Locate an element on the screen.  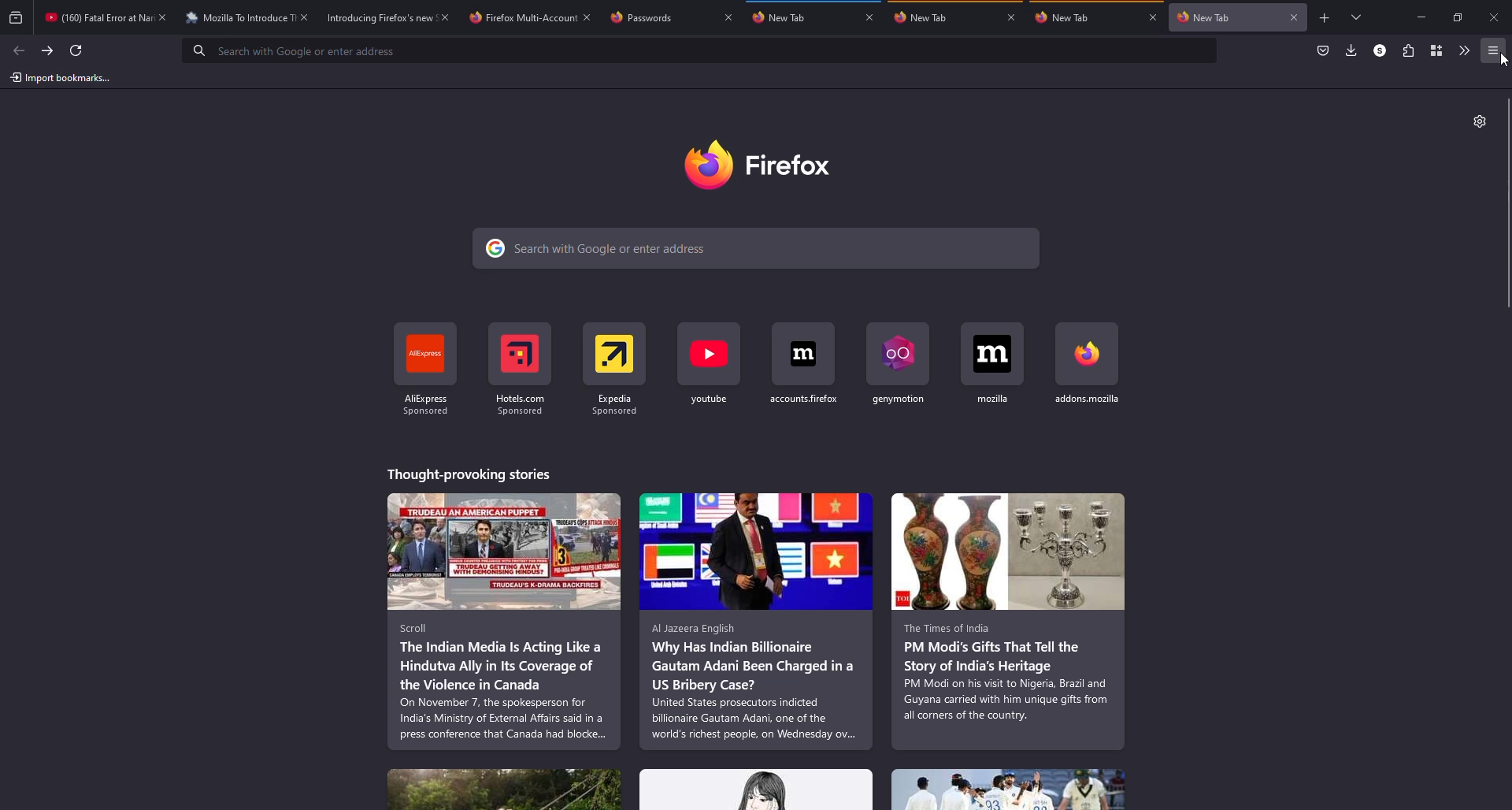
shortcut is located at coordinates (428, 371).